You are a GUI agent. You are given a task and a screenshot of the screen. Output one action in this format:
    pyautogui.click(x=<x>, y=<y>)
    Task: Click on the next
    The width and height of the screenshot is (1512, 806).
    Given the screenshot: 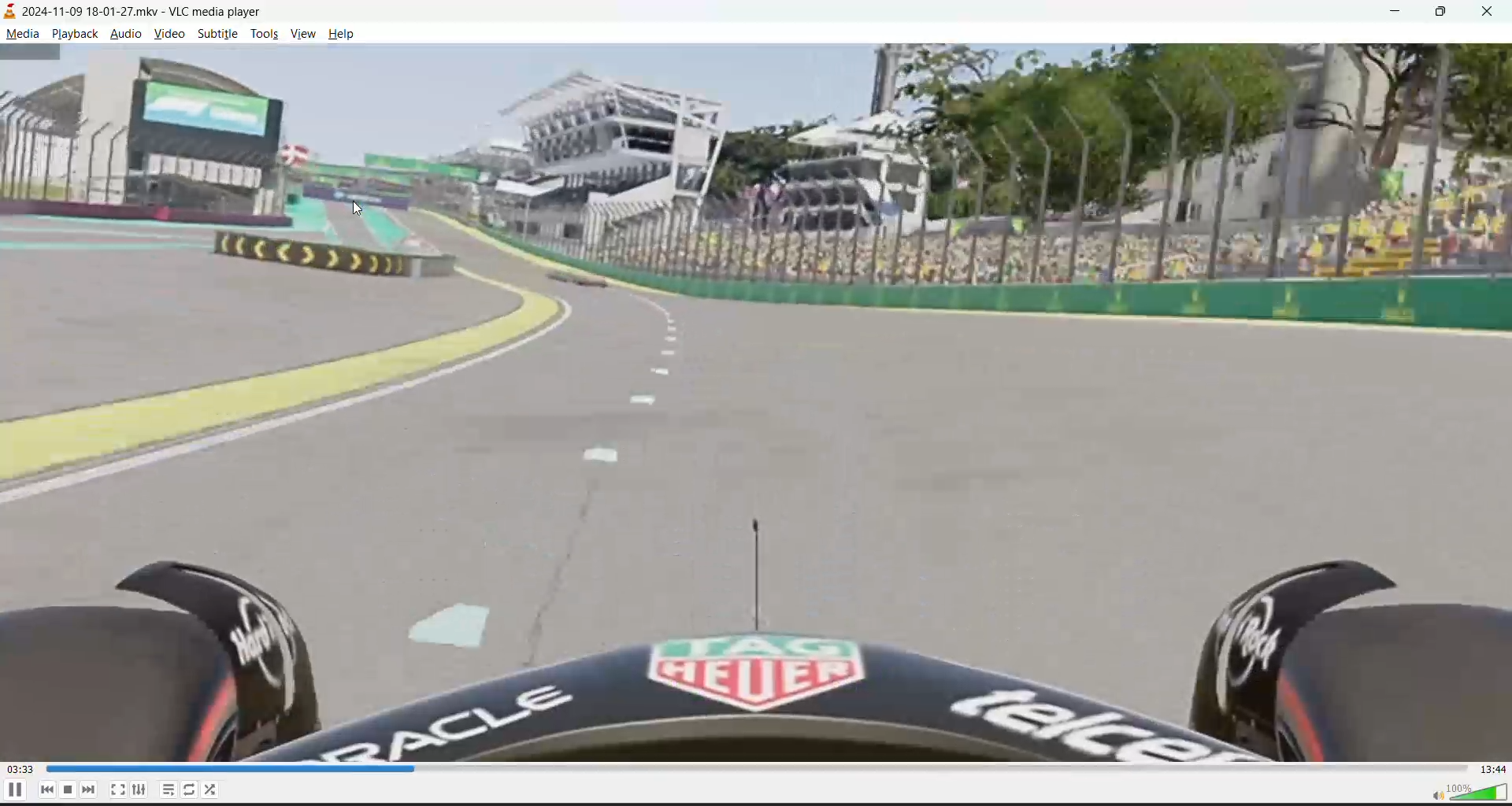 What is the action you would take?
    pyautogui.click(x=91, y=788)
    